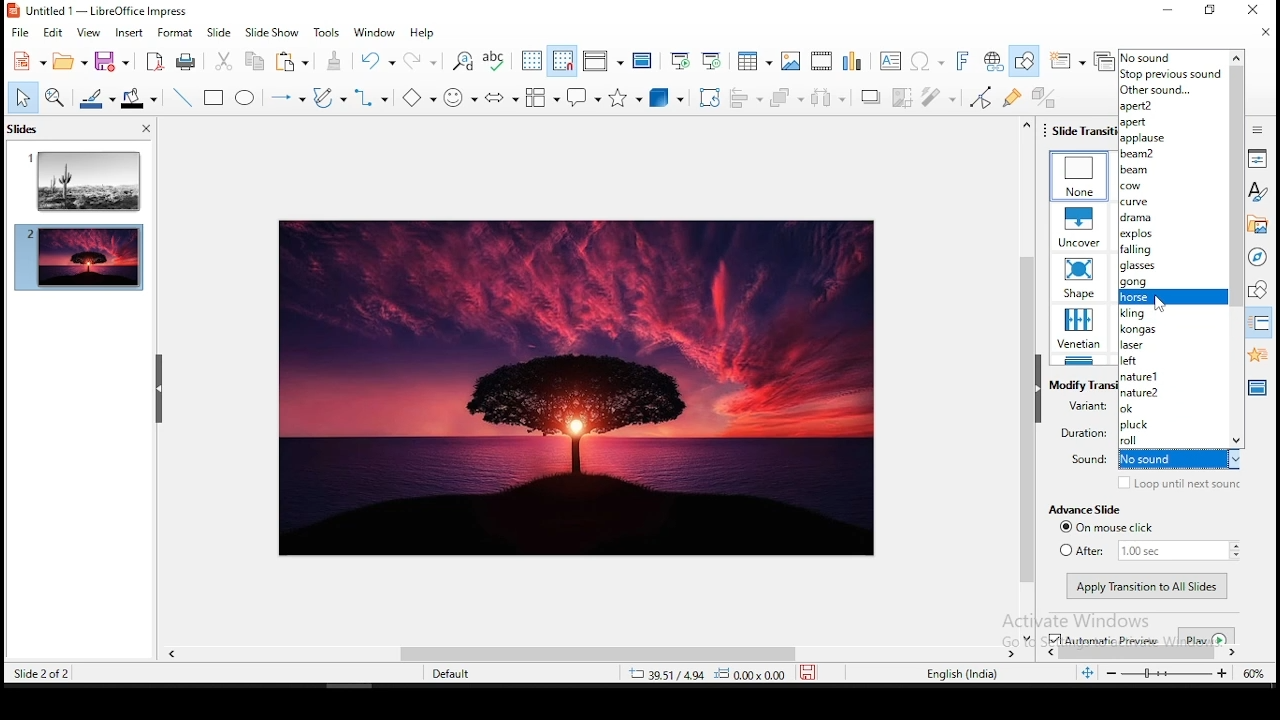 This screenshot has height=720, width=1280. Describe the element at coordinates (671, 676) in the screenshot. I see `39.51/4.94` at that location.